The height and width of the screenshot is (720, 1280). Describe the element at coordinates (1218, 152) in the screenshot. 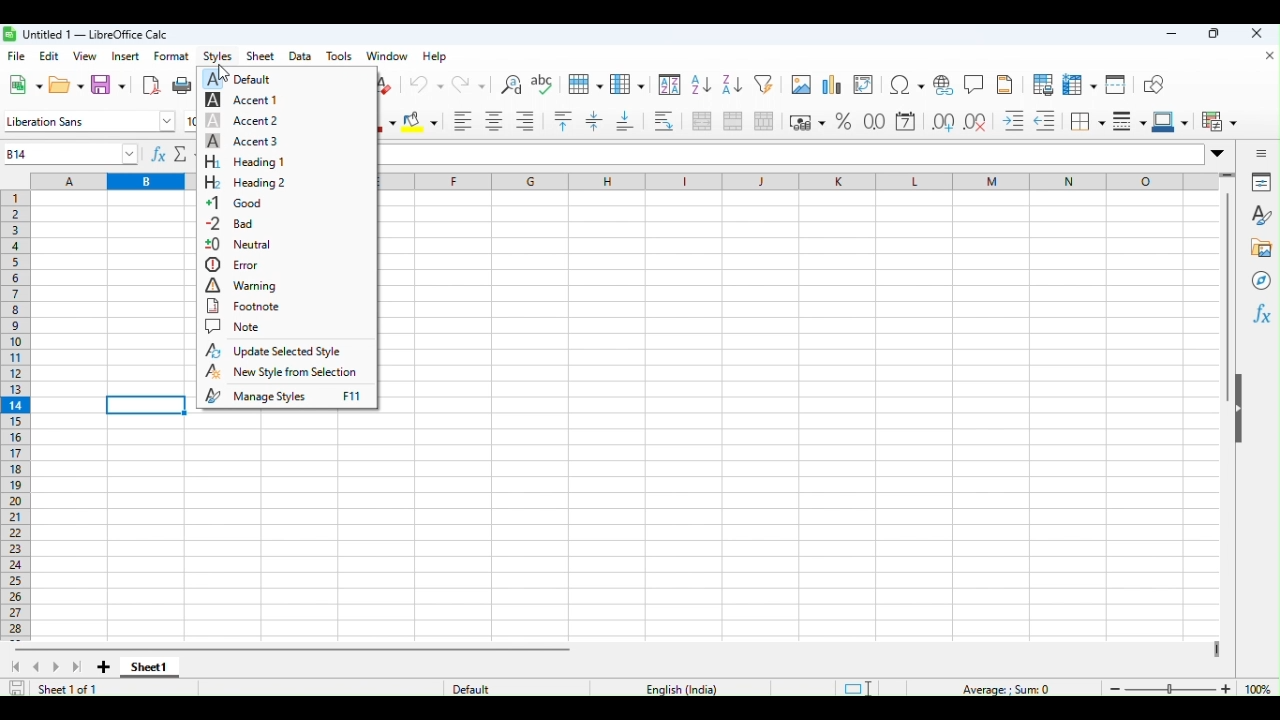

I see `Drop down` at that location.